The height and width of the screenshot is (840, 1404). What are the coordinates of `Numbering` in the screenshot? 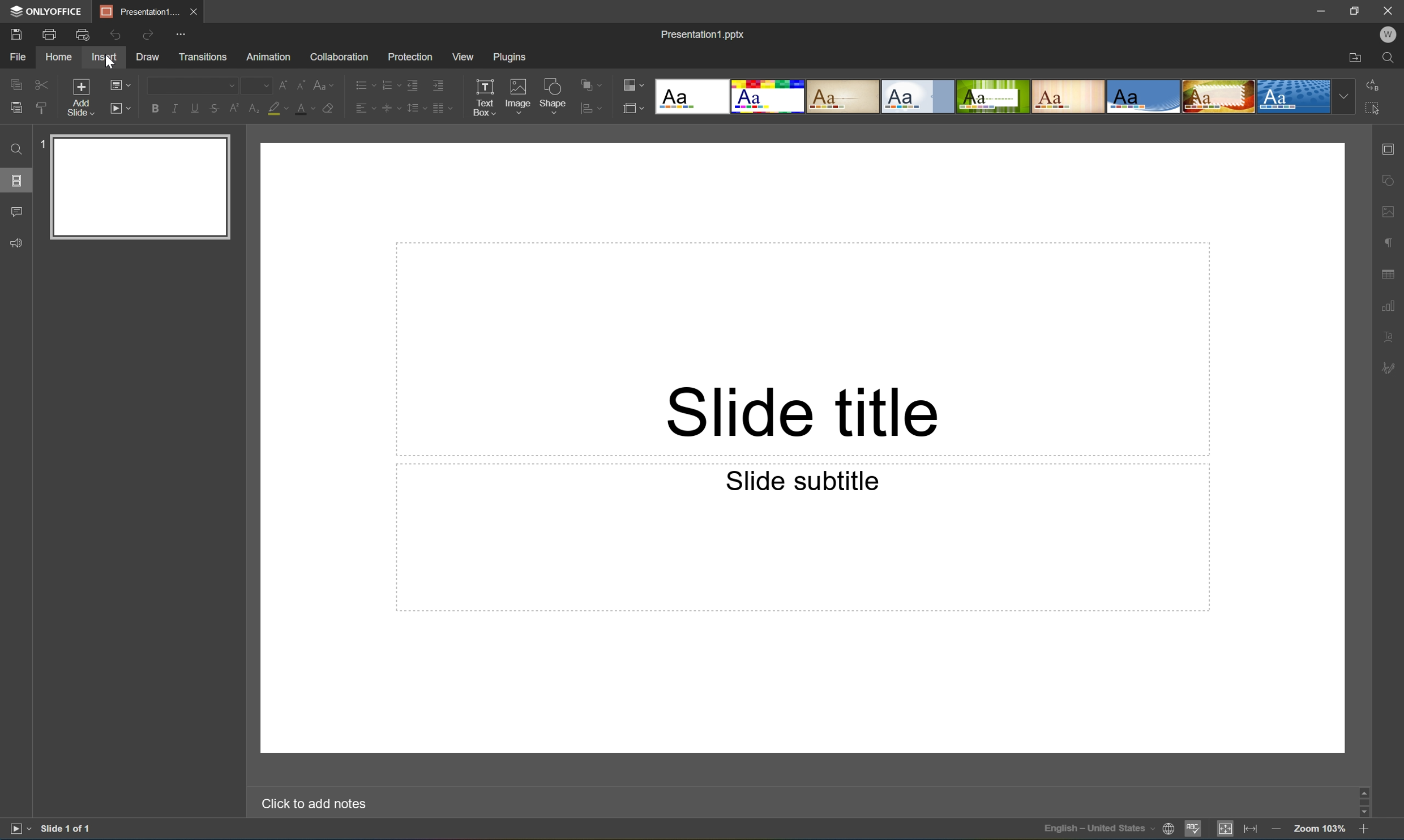 It's located at (391, 86).